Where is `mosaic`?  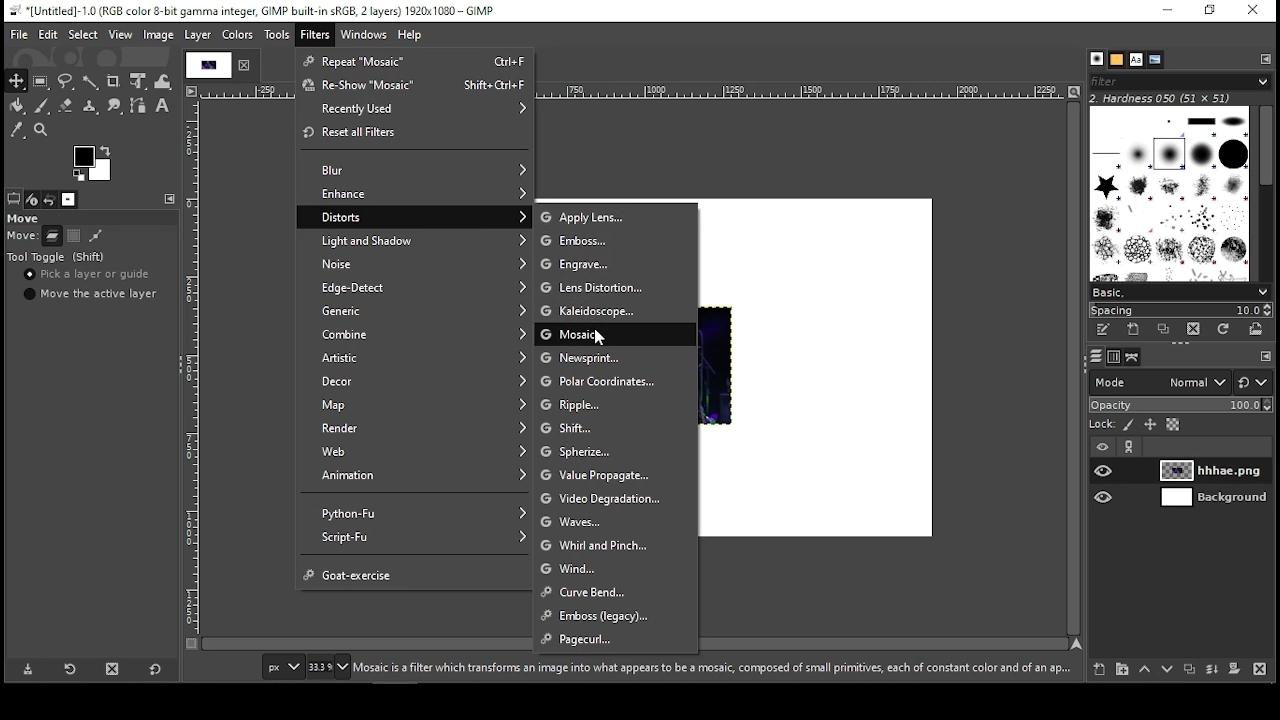 mosaic is located at coordinates (615, 336).